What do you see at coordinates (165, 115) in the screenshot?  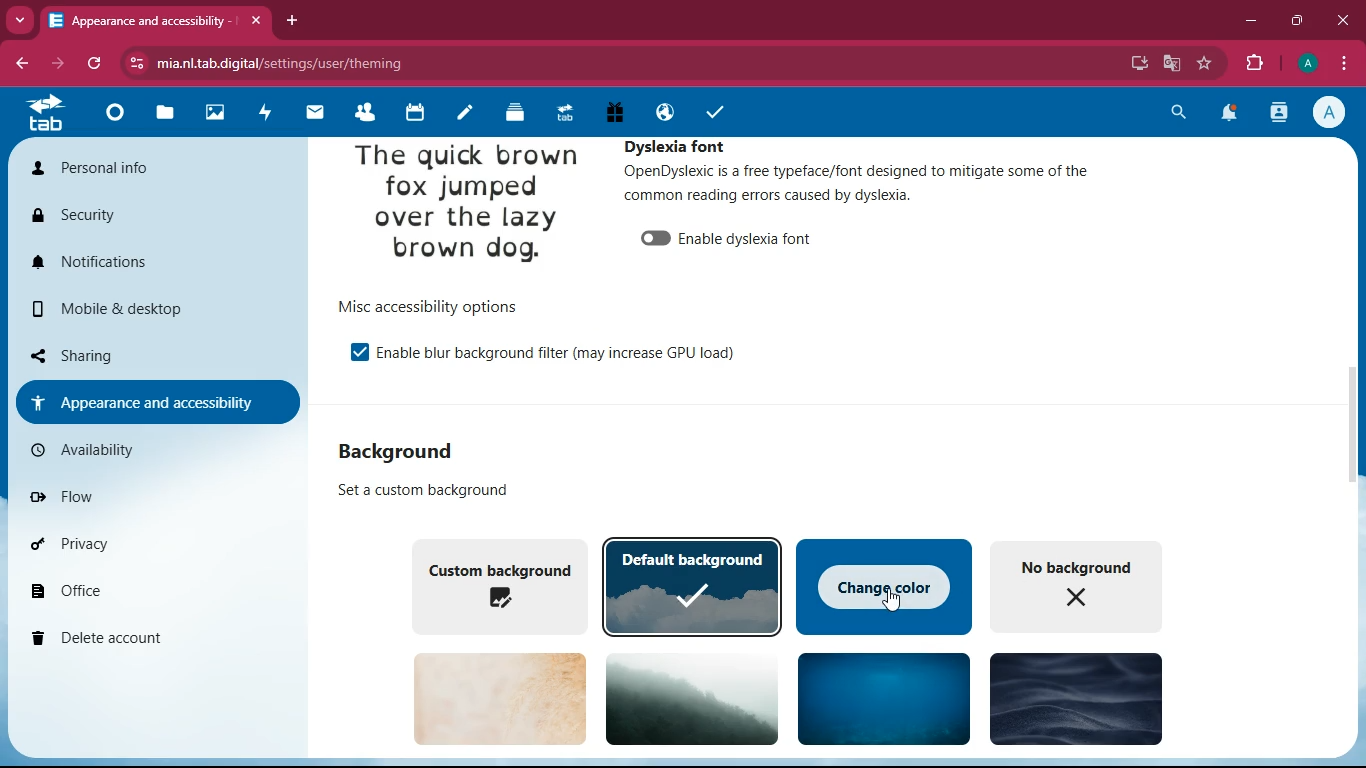 I see `files` at bounding box center [165, 115].